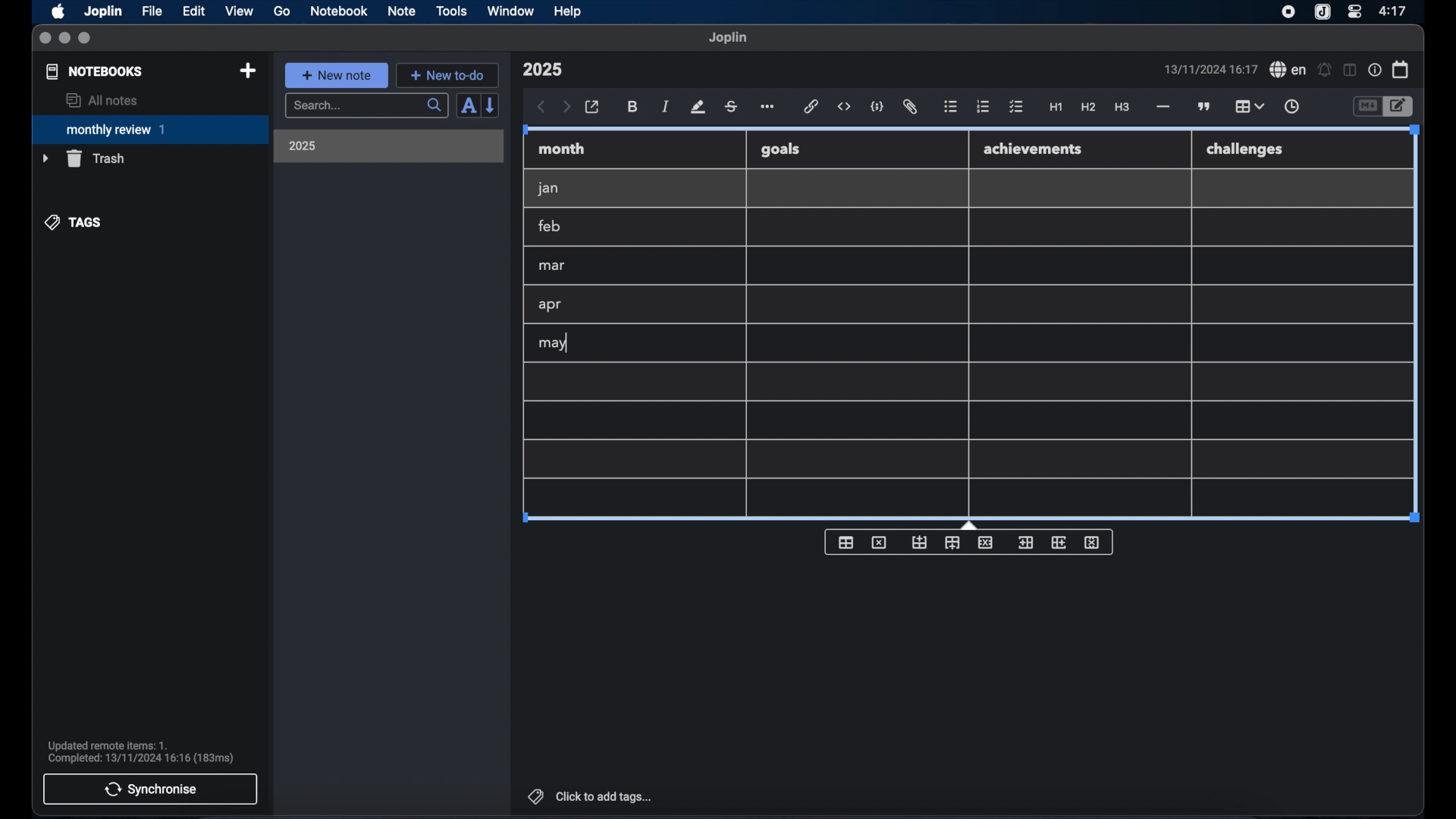  Describe the element at coordinates (1321, 13) in the screenshot. I see `joplin icon` at that location.